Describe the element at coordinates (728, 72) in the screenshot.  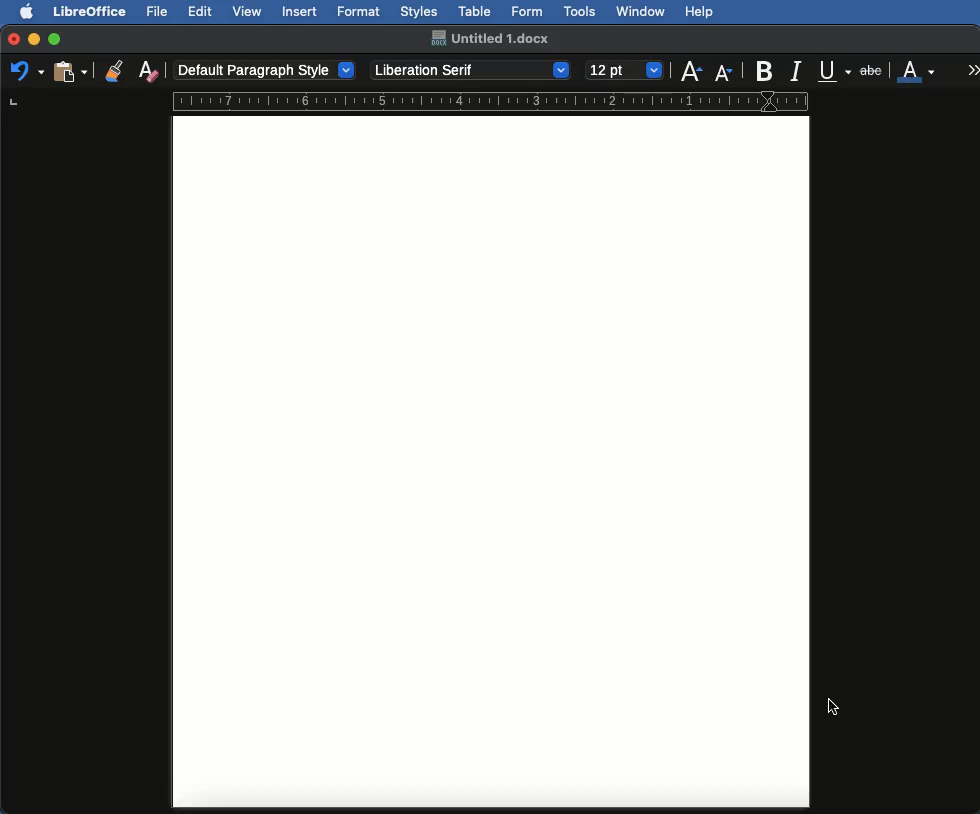
I see `Size decrease` at that location.